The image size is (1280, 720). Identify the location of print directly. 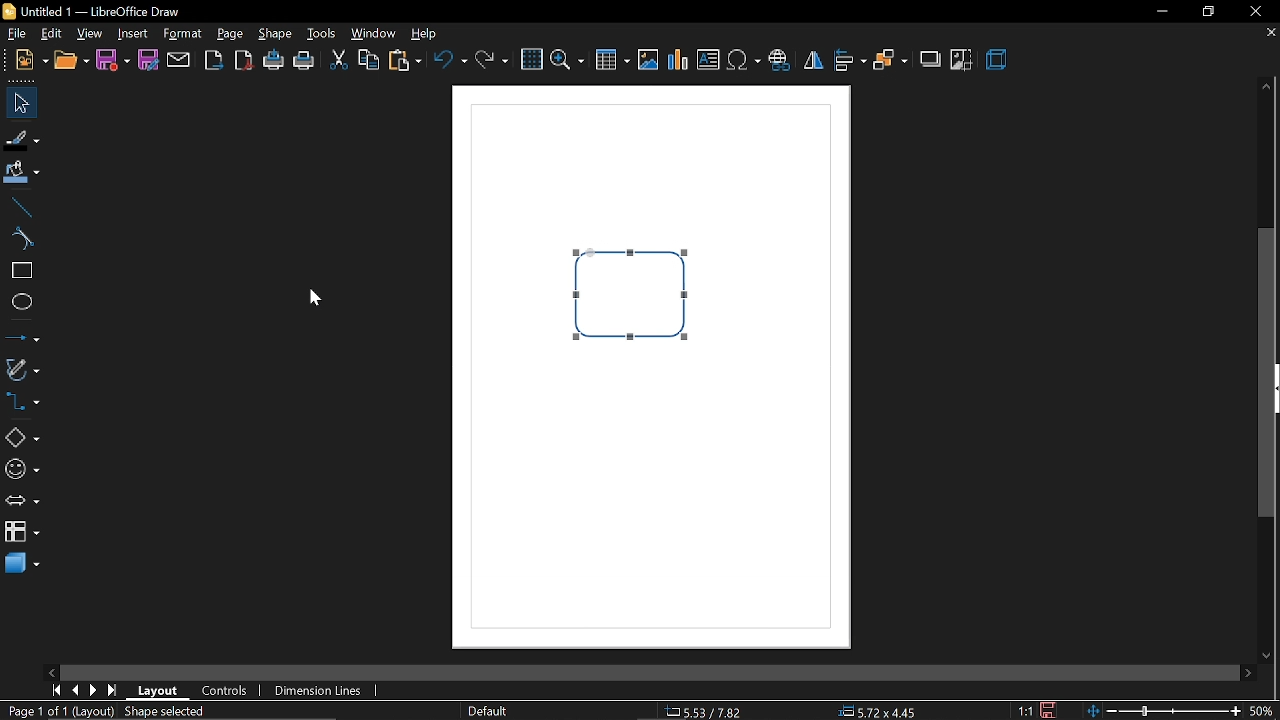
(274, 62).